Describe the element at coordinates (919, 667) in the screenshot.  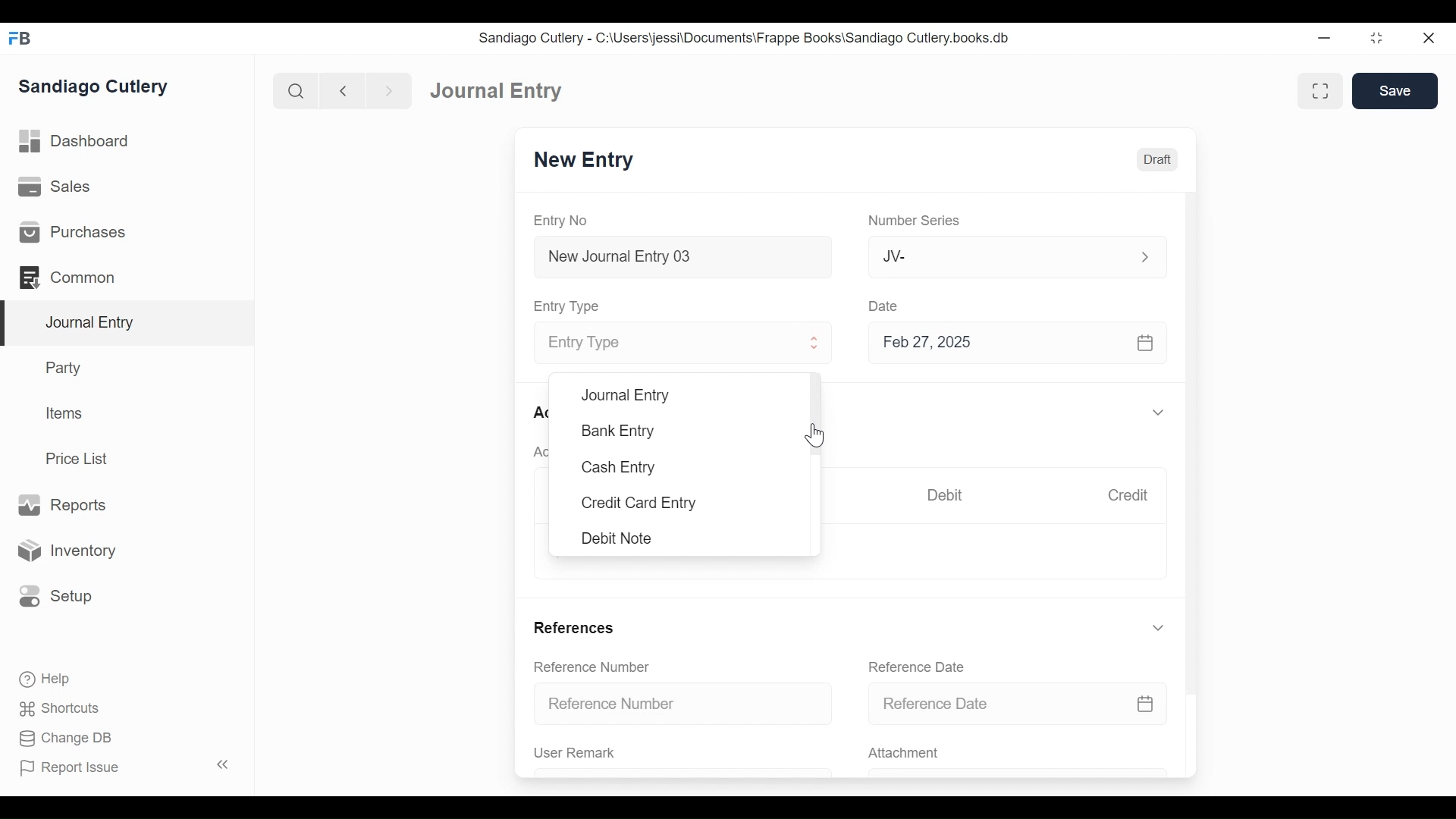
I see `Reference Date` at that location.